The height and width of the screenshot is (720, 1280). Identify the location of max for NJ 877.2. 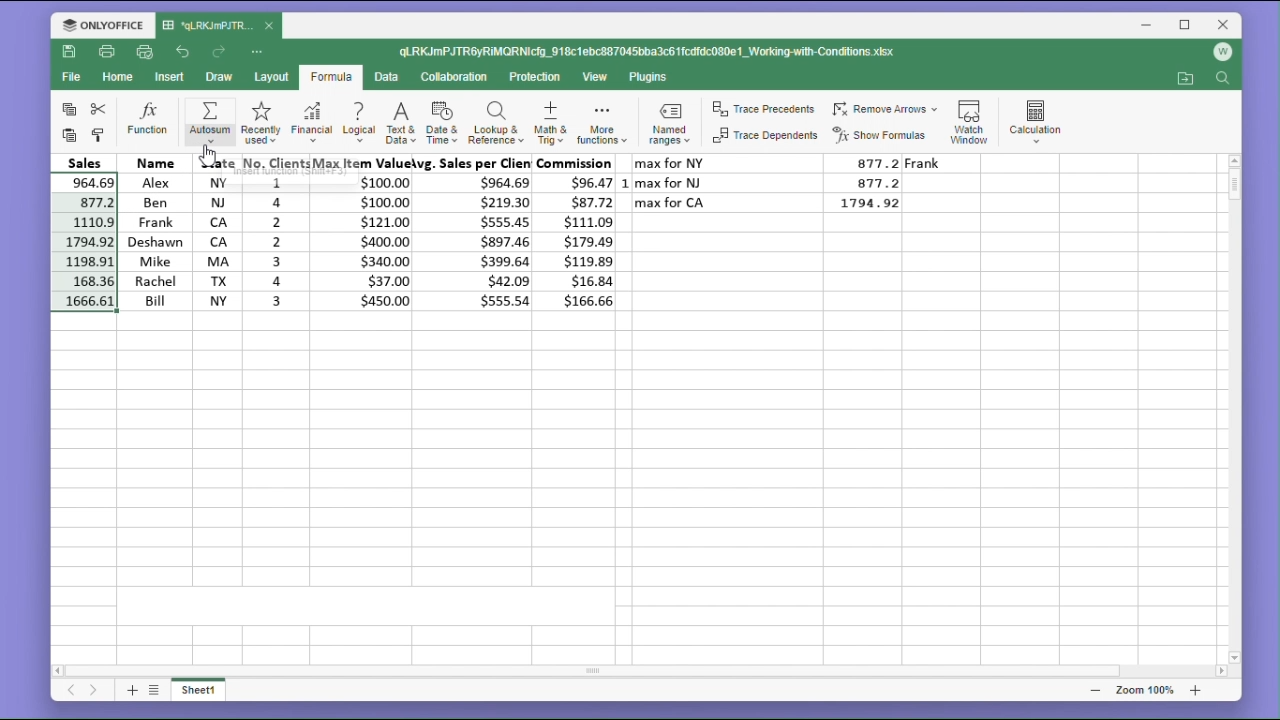
(774, 182).